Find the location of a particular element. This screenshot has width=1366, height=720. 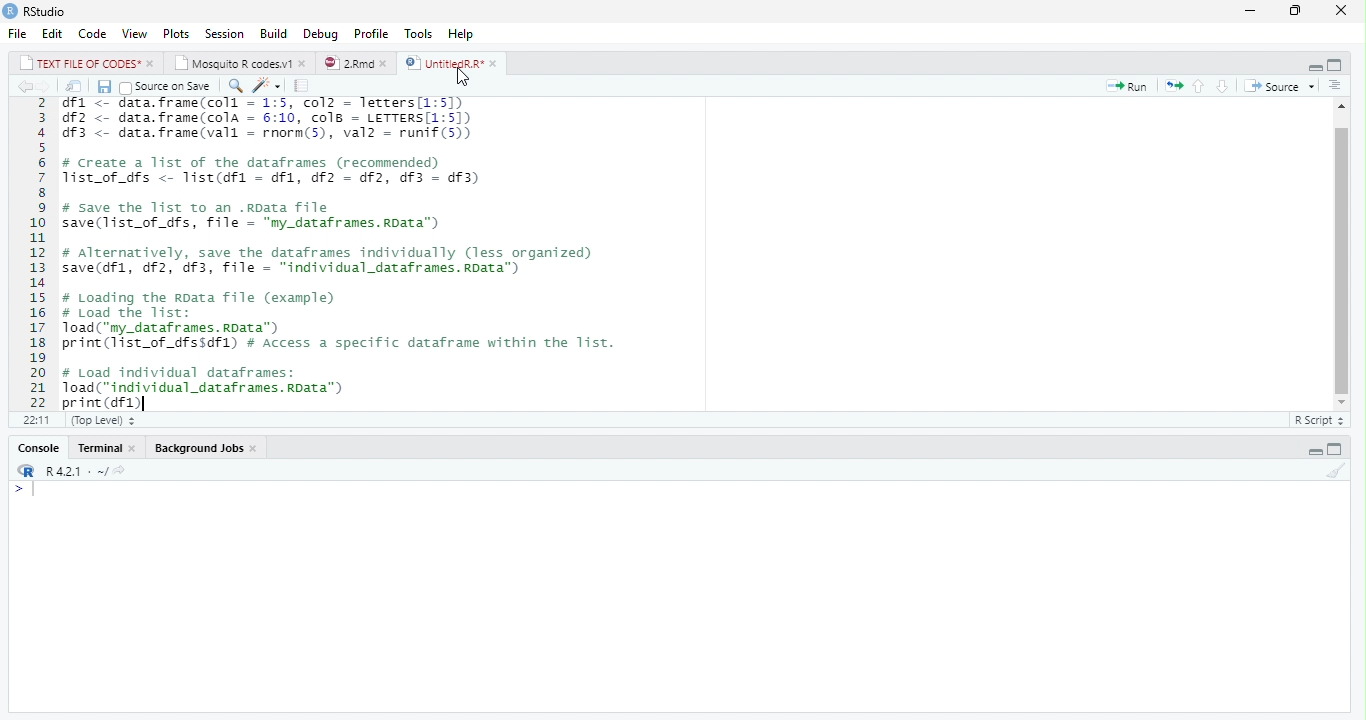

RStudio is located at coordinates (37, 12).